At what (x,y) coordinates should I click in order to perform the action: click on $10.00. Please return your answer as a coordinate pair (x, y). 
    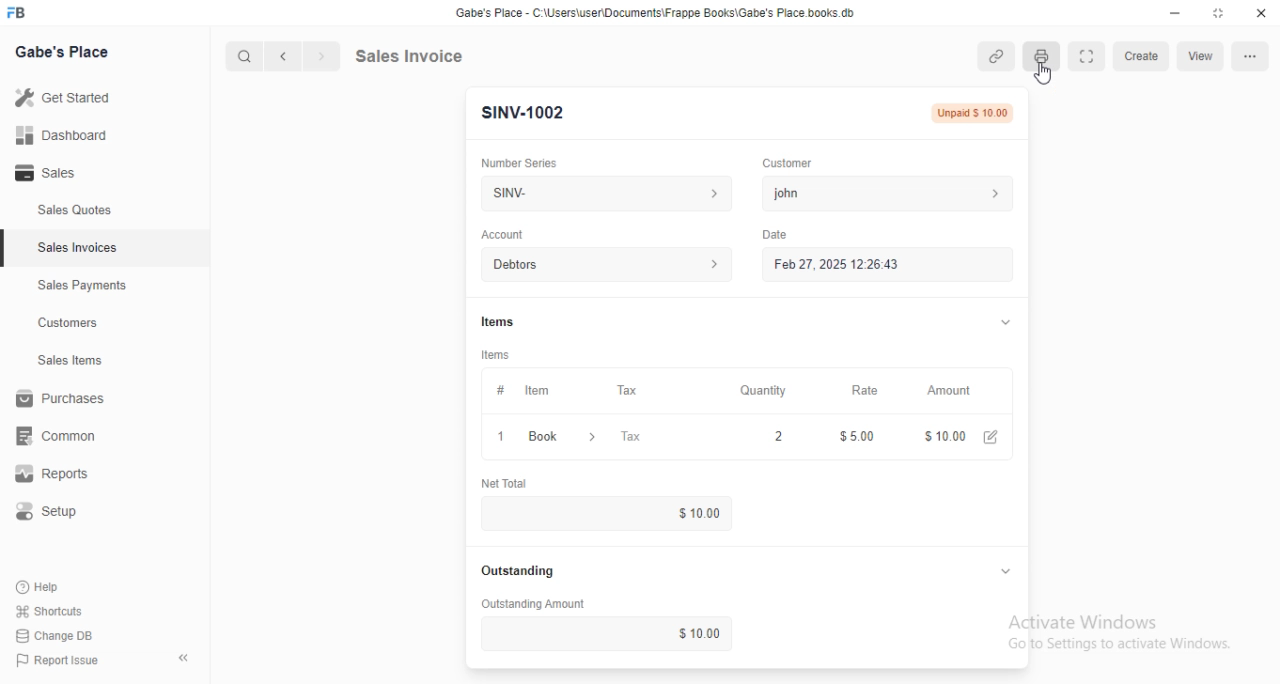
    Looking at the image, I should click on (946, 436).